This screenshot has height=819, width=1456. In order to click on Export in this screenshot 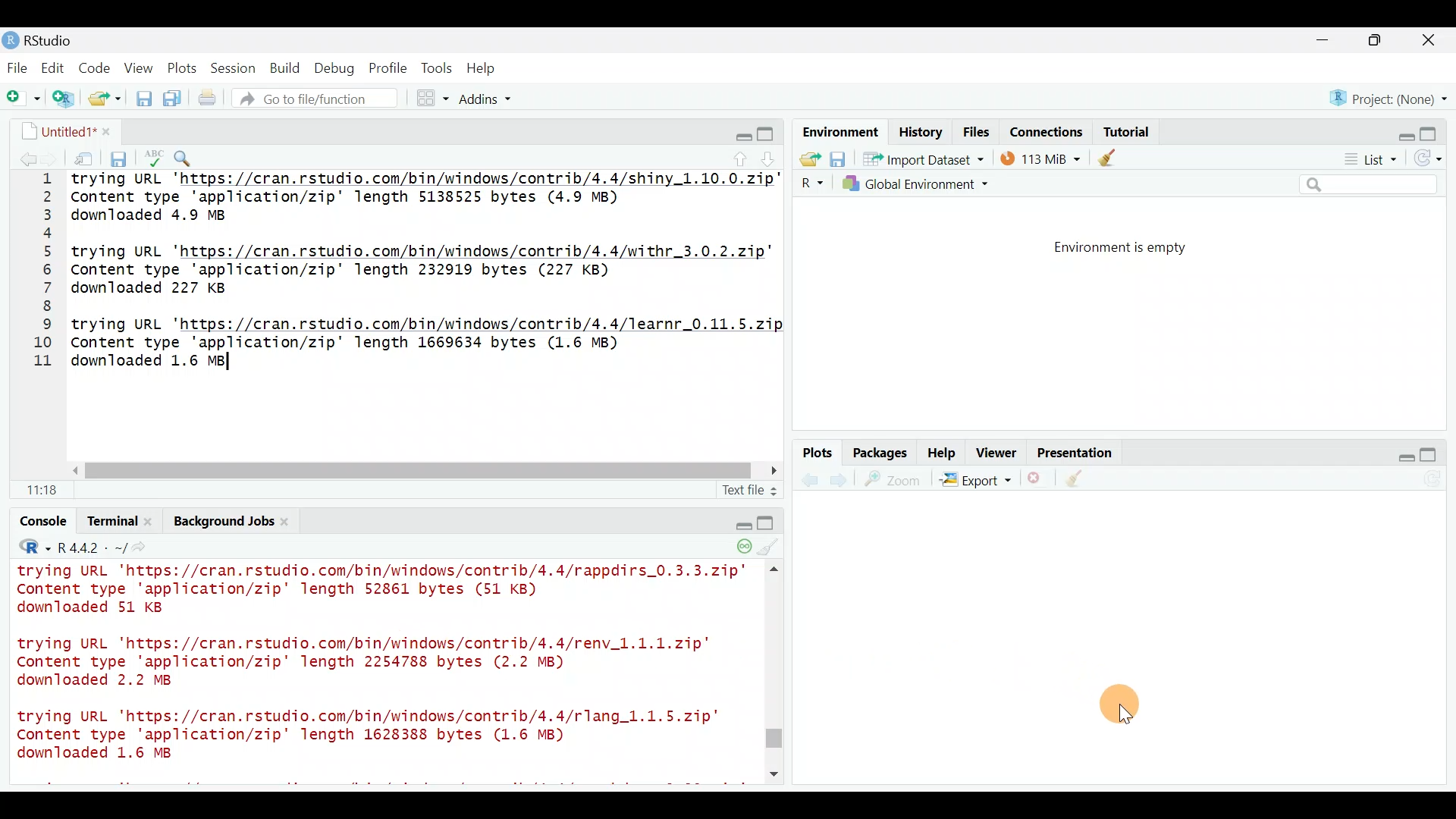, I will do `click(975, 482)`.